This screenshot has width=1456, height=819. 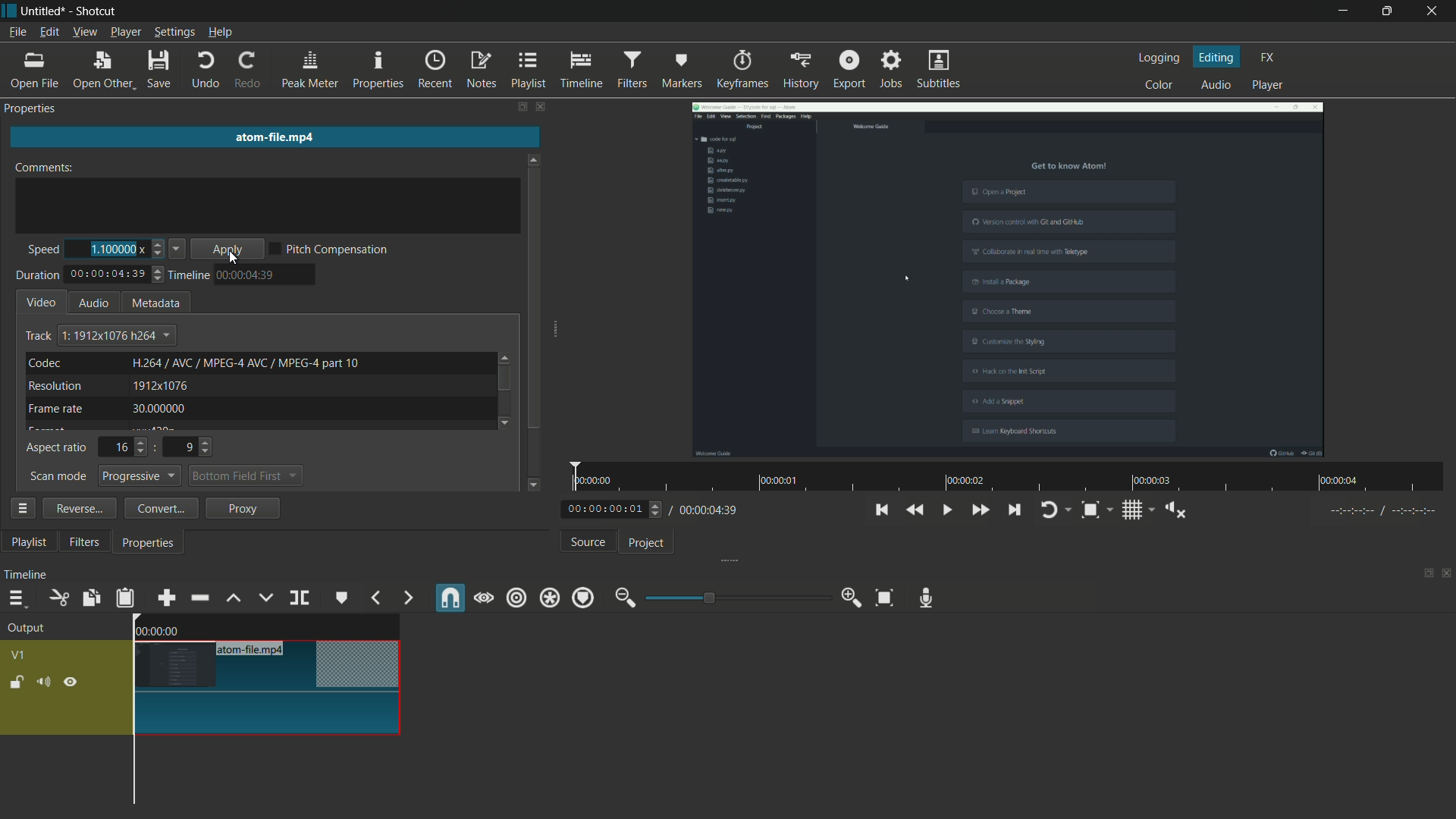 What do you see at coordinates (58, 477) in the screenshot?
I see `scan mode` at bounding box center [58, 477].